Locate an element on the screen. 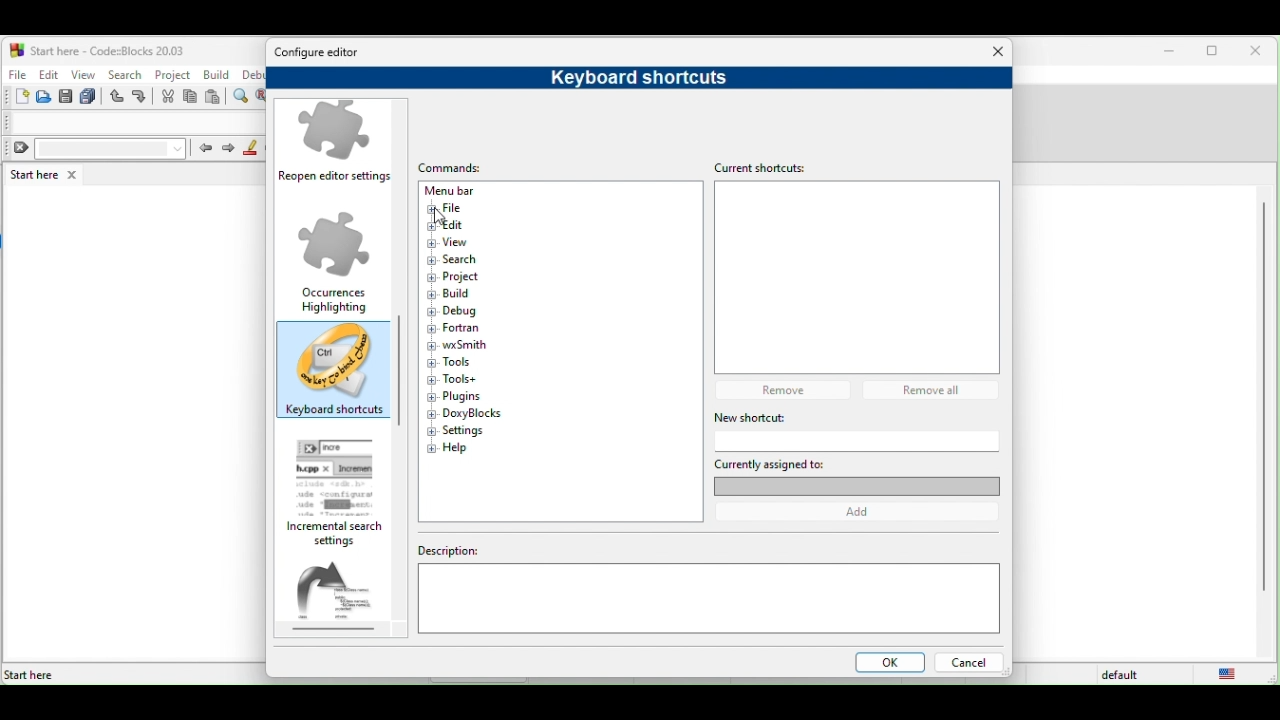 This screenshot has height=720, width=1280. menu bar is located at coordinates (470, 191).